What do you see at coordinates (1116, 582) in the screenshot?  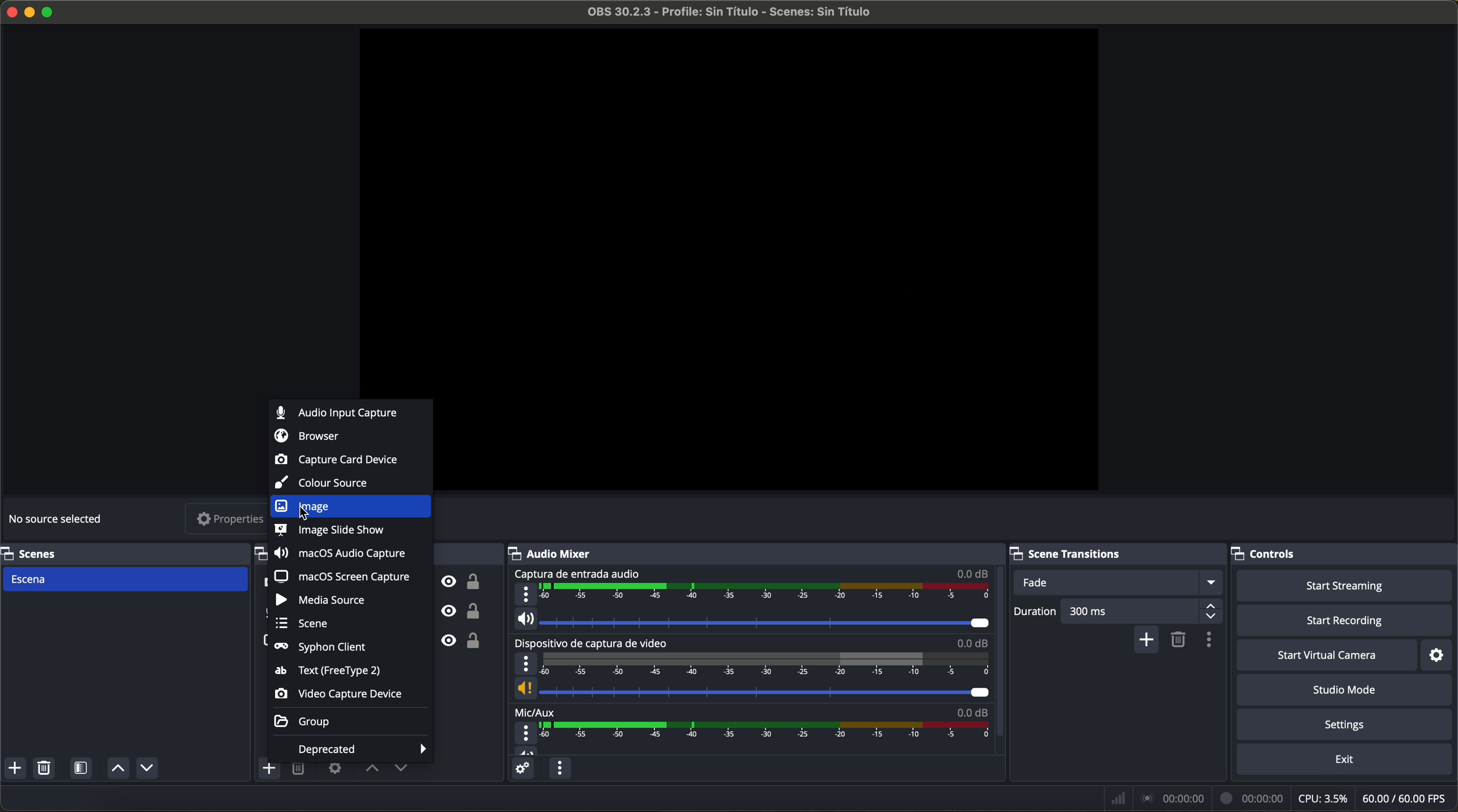 I see `fade` at bounding box center [1116, 582].